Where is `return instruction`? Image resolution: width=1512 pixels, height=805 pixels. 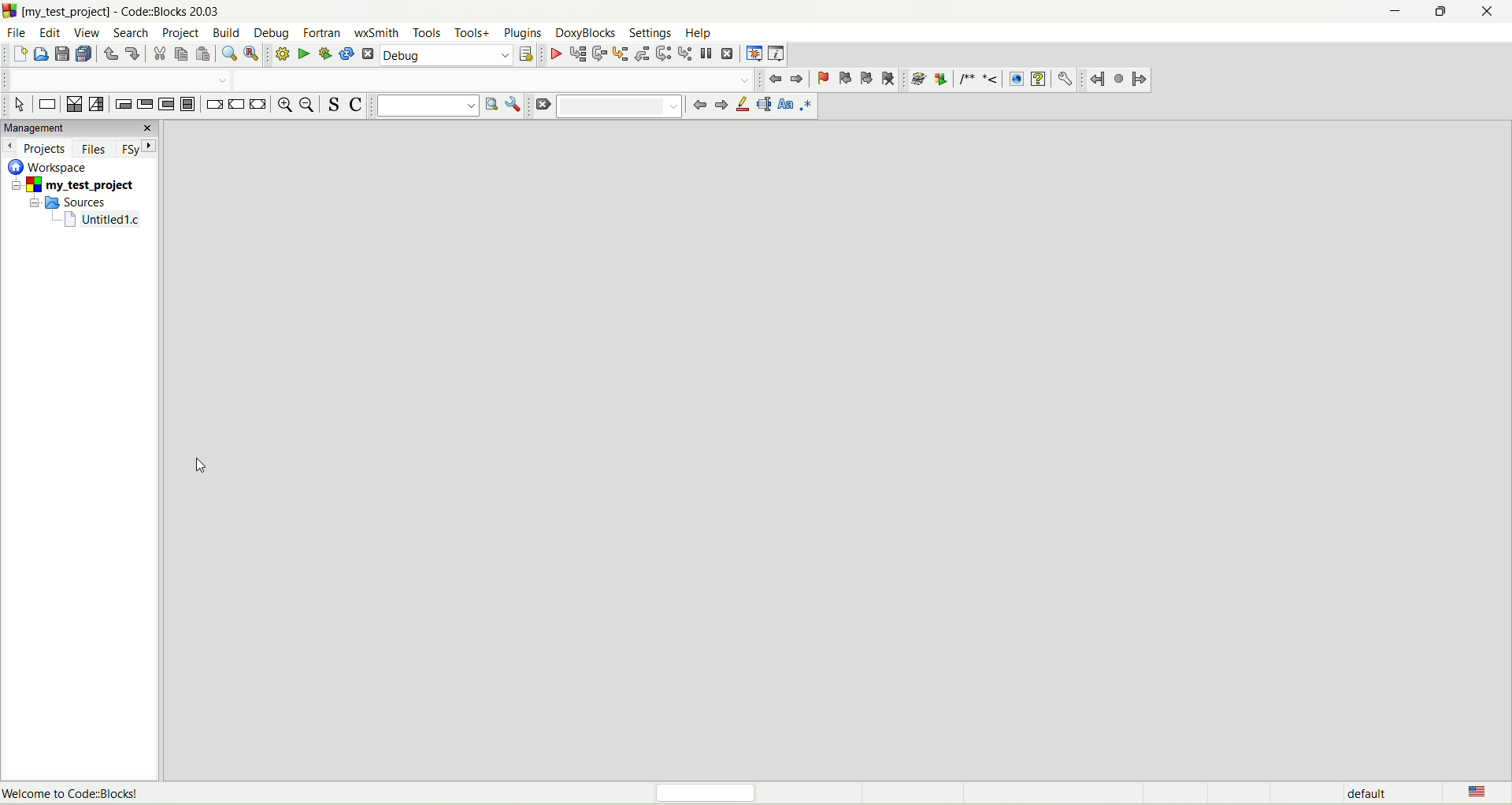 return instruction is located at coordinates (261, 104).